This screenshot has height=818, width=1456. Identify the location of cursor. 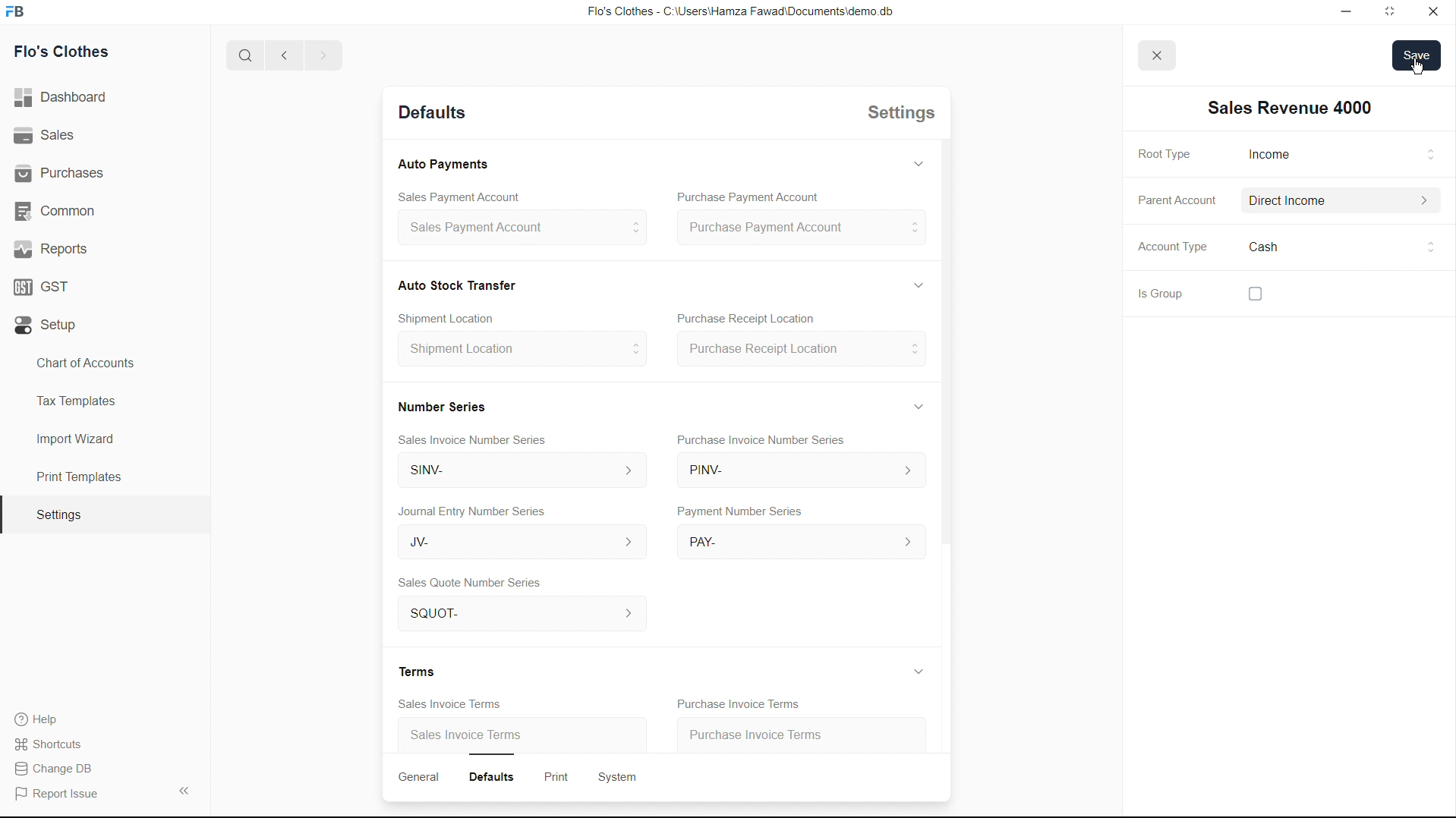
(1430, 244).